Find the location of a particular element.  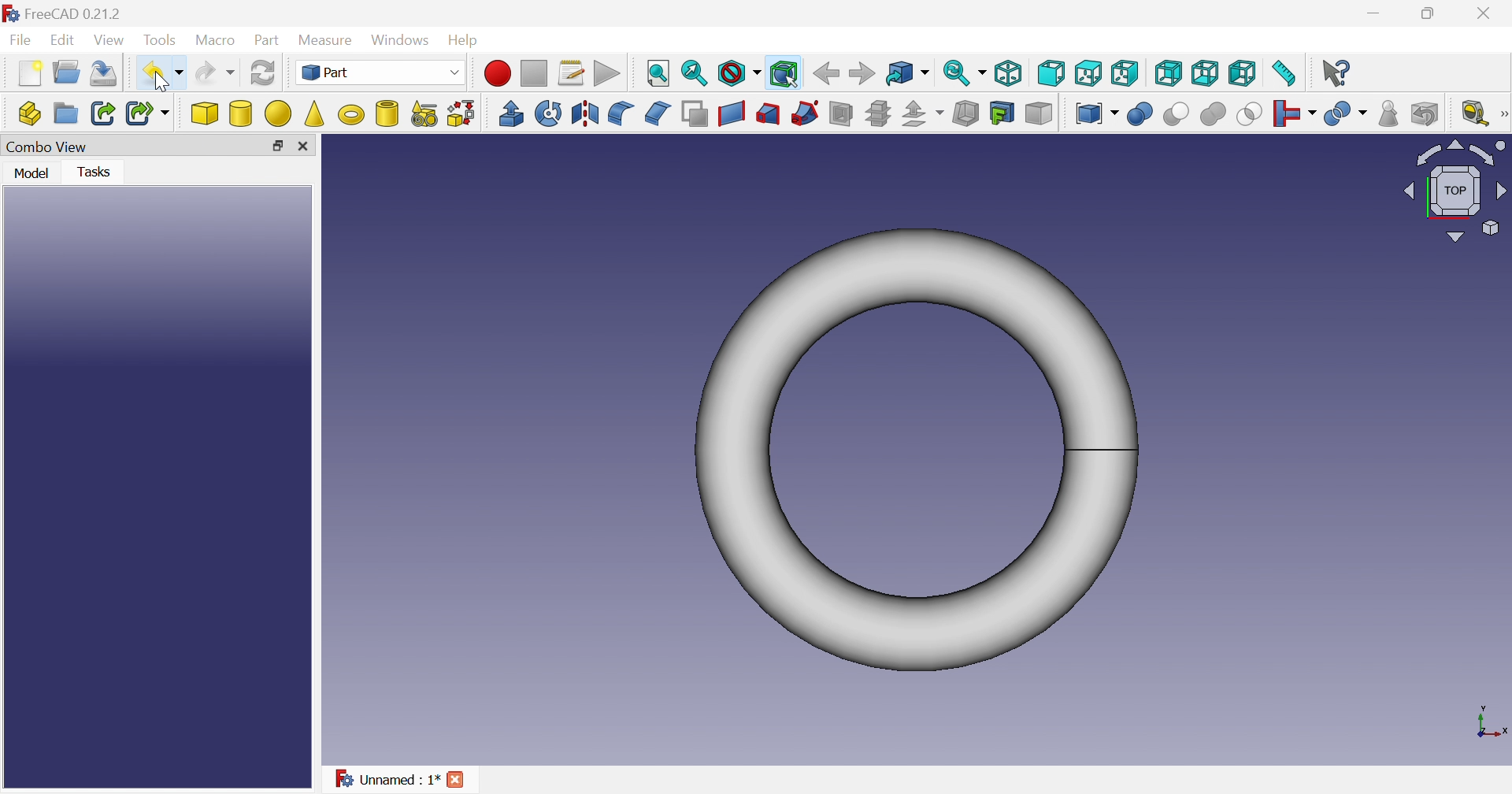

Intersection is located at coordinates (1251, 114).